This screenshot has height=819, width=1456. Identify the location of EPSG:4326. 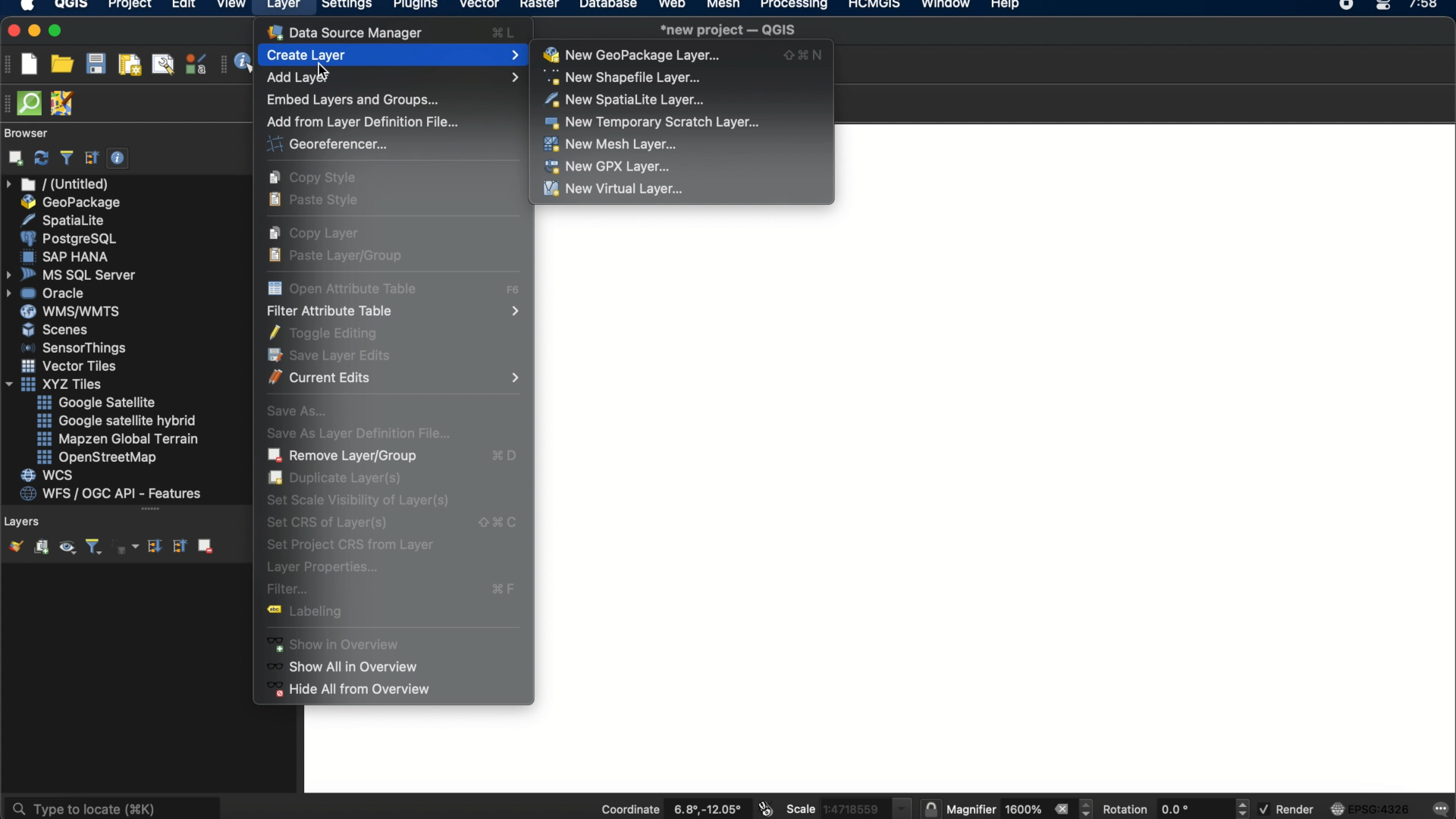
(1370, 808).